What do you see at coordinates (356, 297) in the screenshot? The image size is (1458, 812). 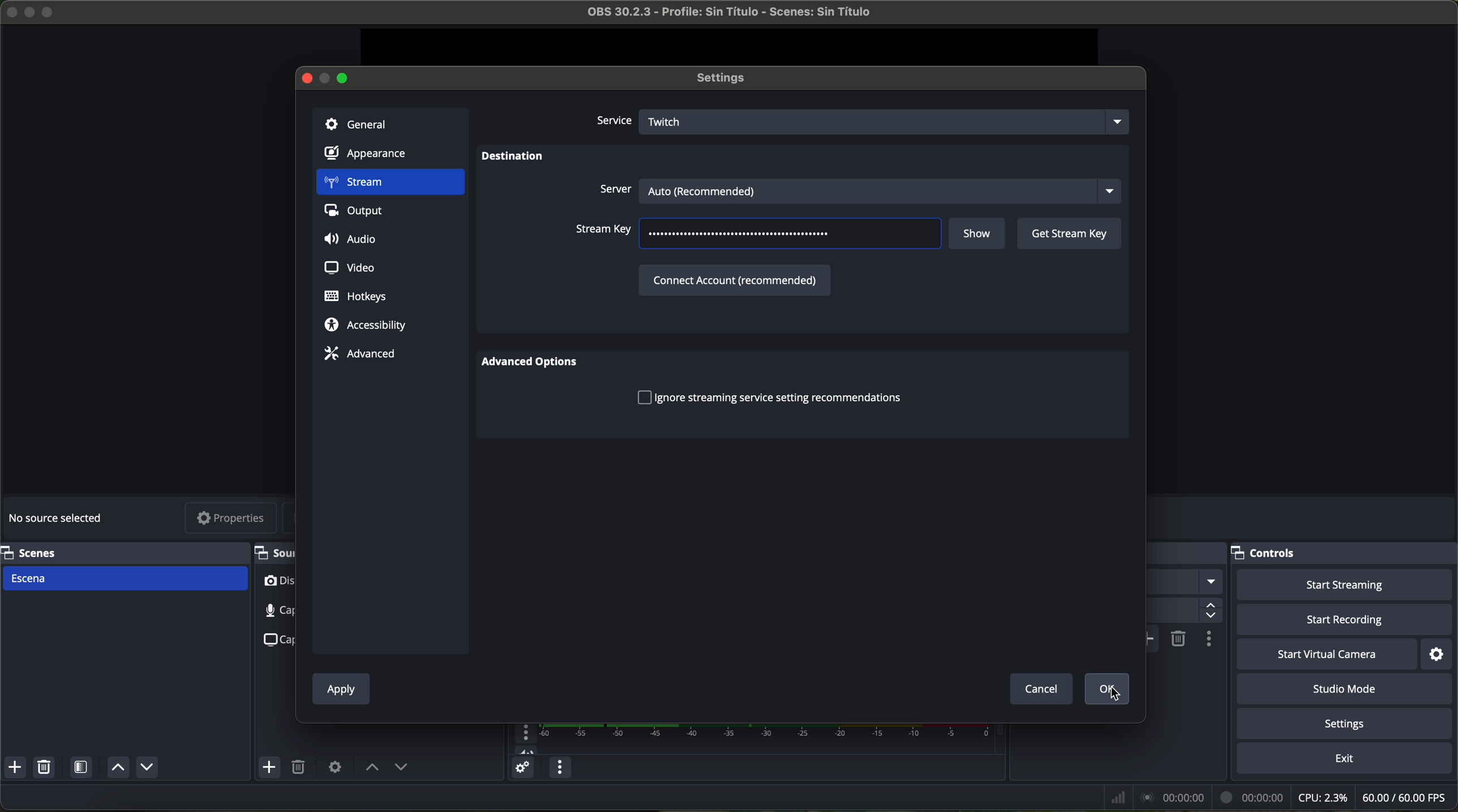 I see `hotkeys` at bounding box center [356, 297].